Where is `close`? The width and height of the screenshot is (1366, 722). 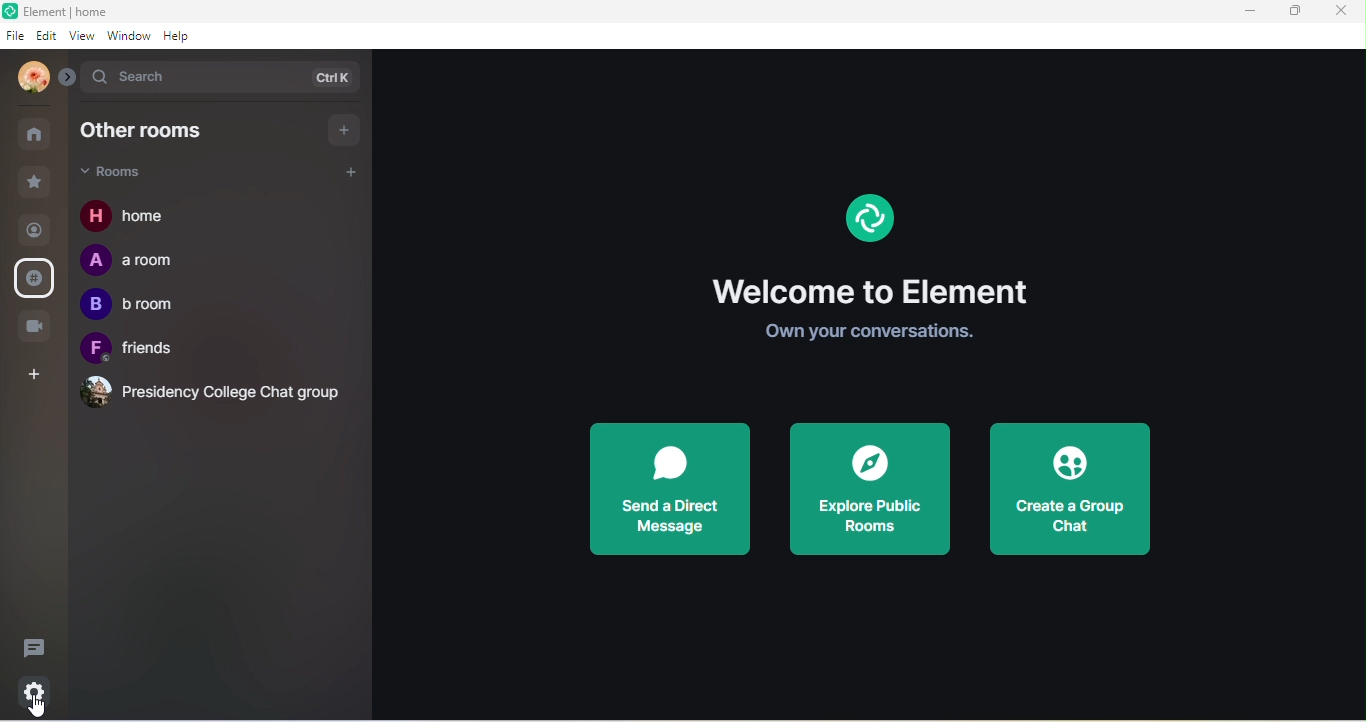
close is located at coordinates (1344, 13).